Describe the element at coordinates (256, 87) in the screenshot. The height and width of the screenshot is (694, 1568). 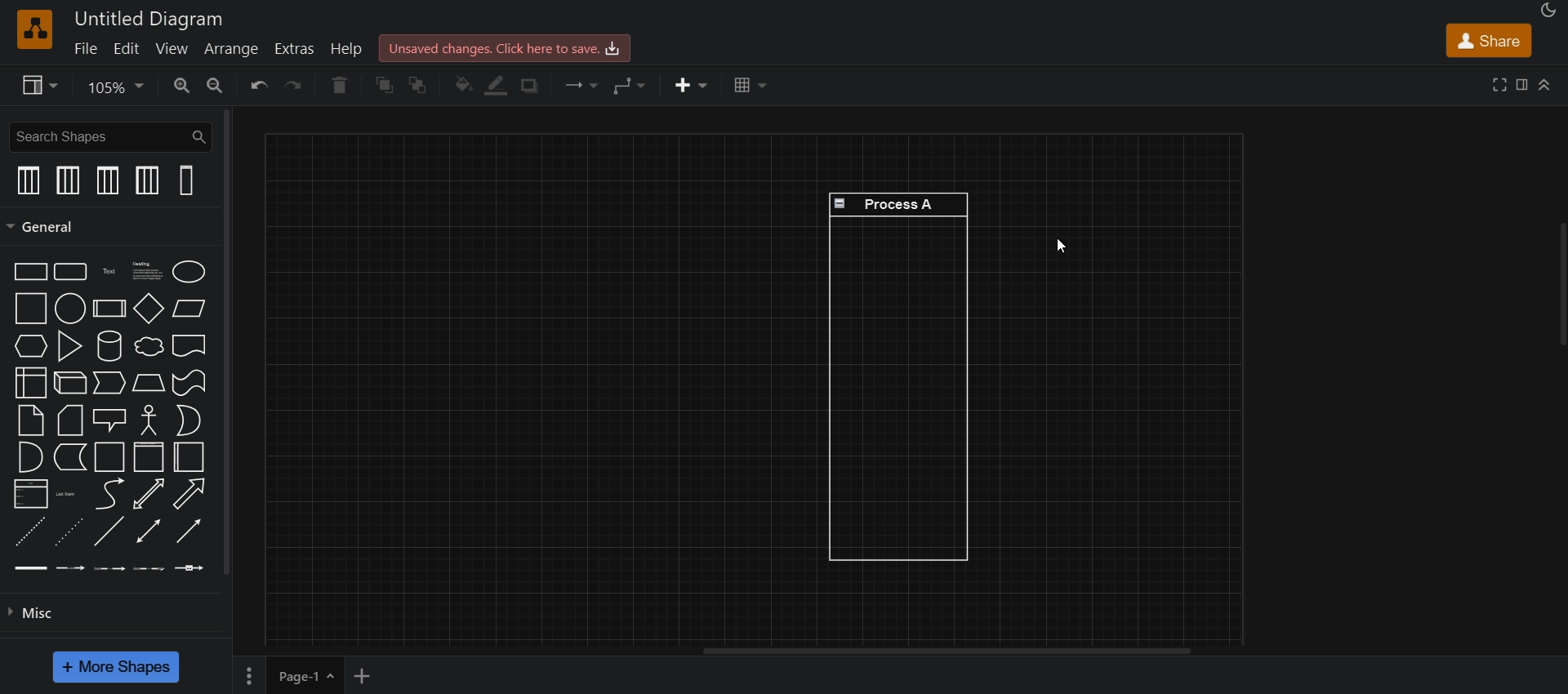
I see `undo` at that location.